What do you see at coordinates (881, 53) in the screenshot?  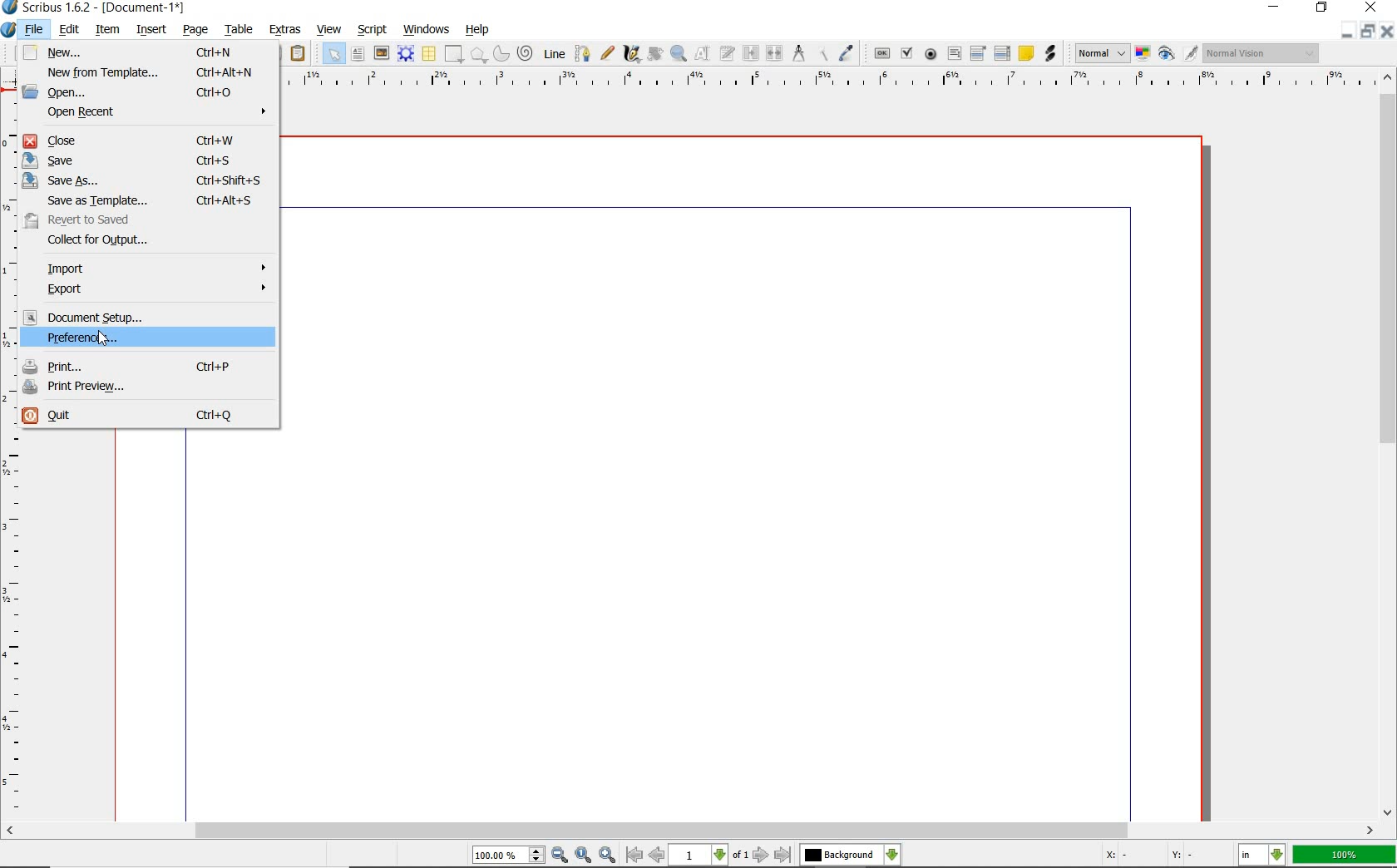 I see `pdf push button` at bounding box center [881, 53].